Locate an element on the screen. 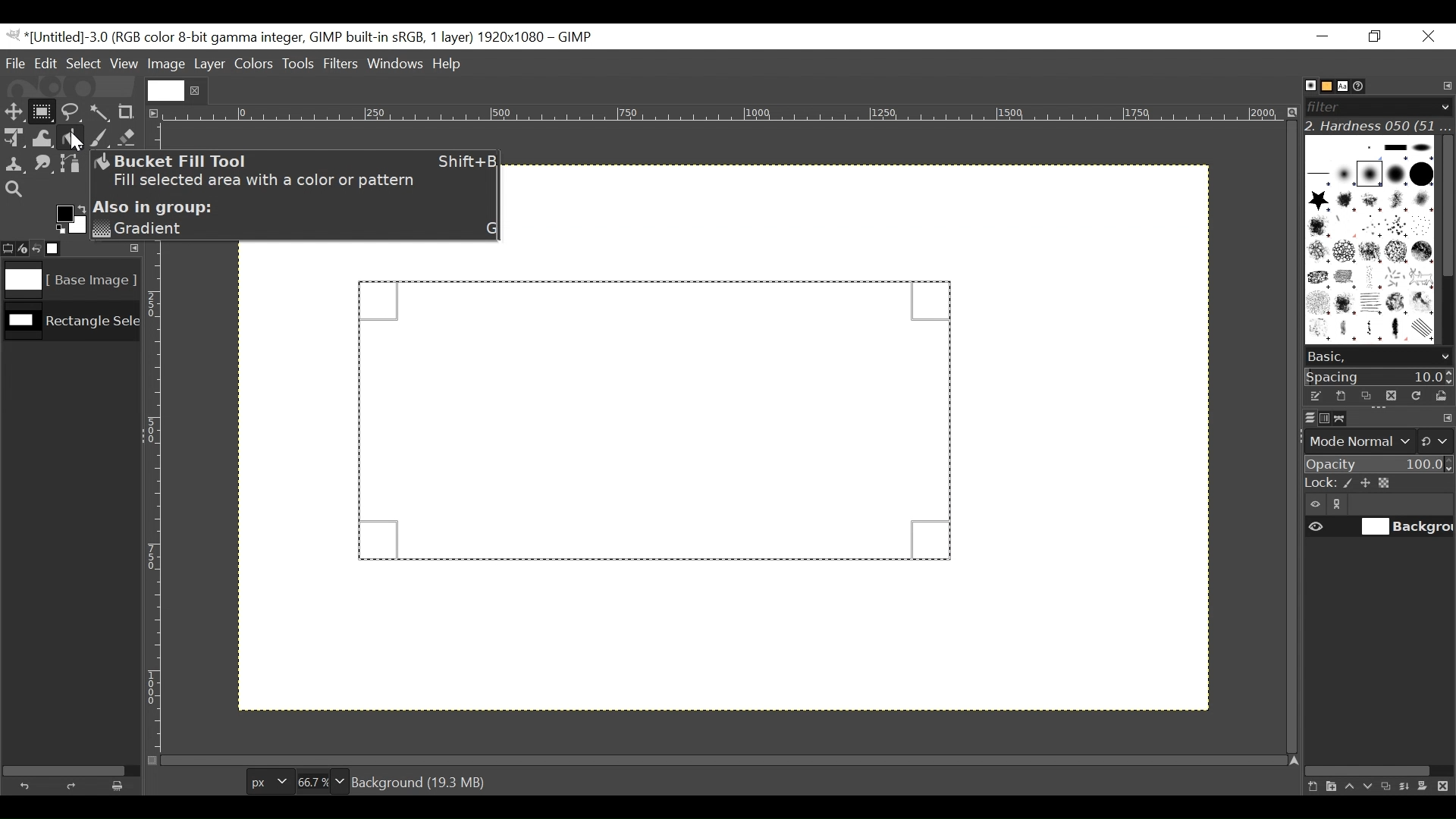  Gimp File Name is located at coordinates (302, 37).